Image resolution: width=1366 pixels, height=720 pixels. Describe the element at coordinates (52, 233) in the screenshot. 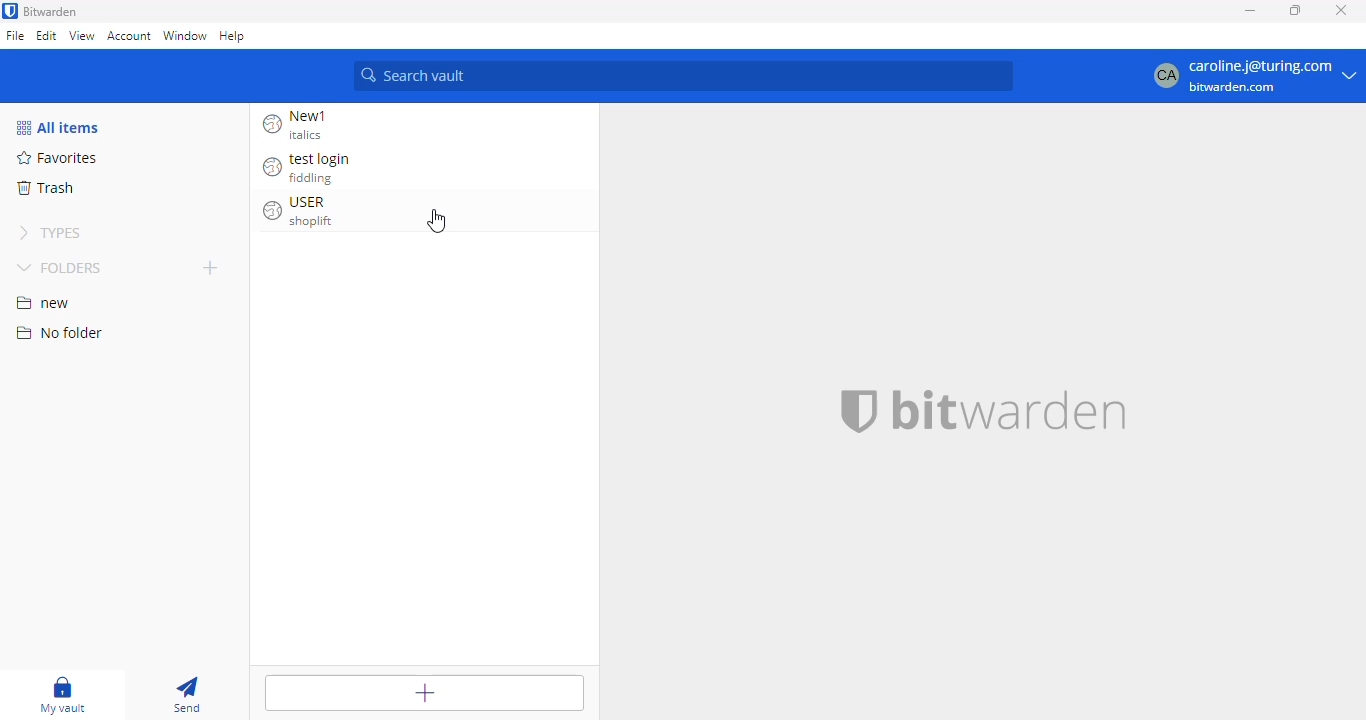

I see `types` at that location.